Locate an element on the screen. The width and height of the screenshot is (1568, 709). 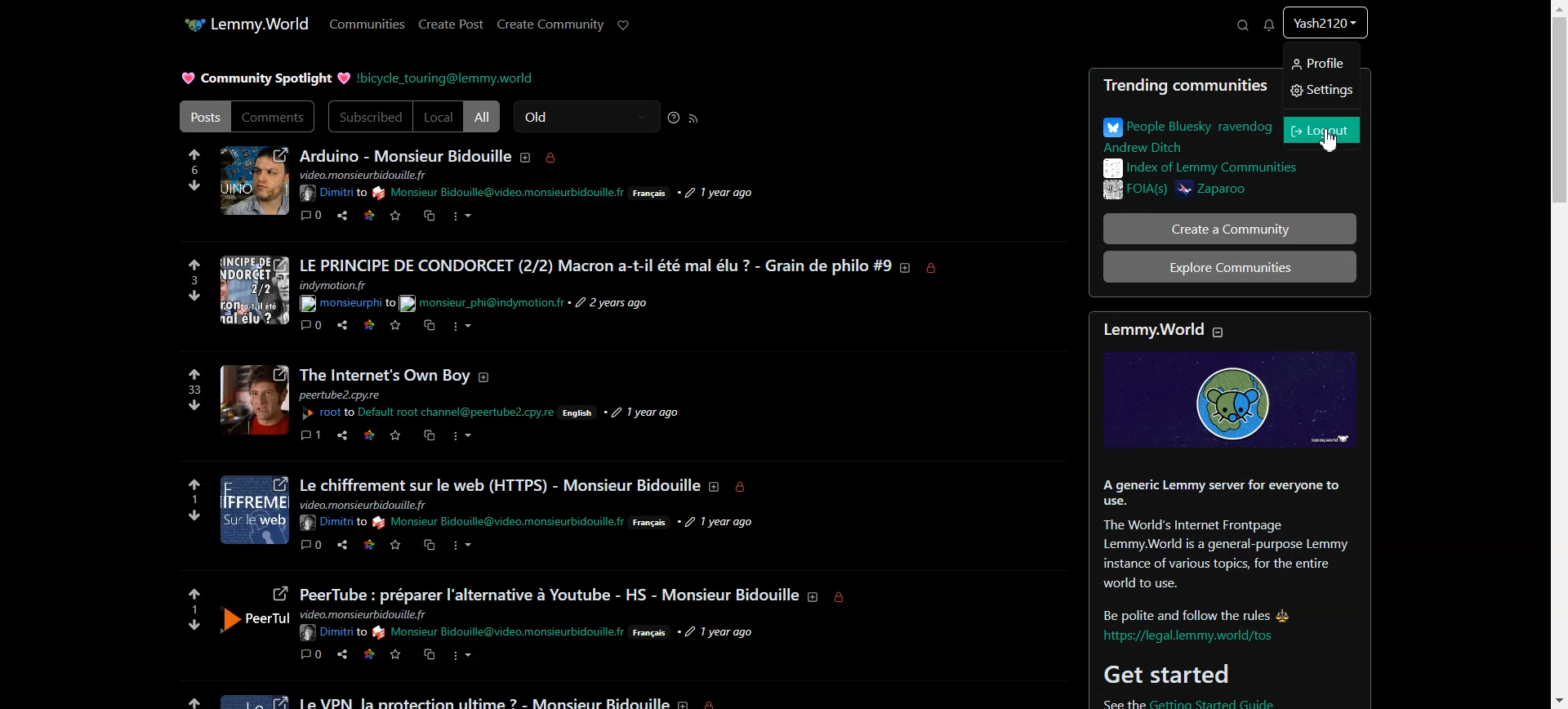
comment is located at coordinates (310, 327).